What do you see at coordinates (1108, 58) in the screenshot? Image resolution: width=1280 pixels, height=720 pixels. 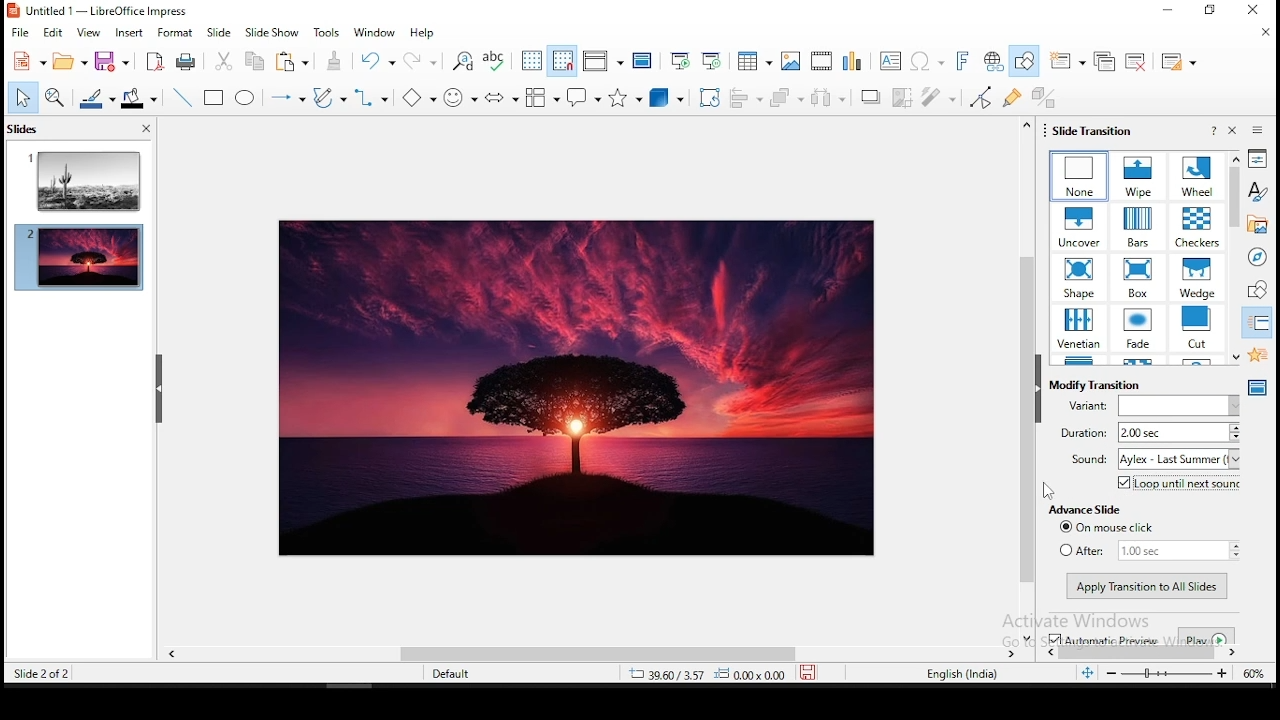 I see `duplicate slide` at bounding box center [1108, 58].